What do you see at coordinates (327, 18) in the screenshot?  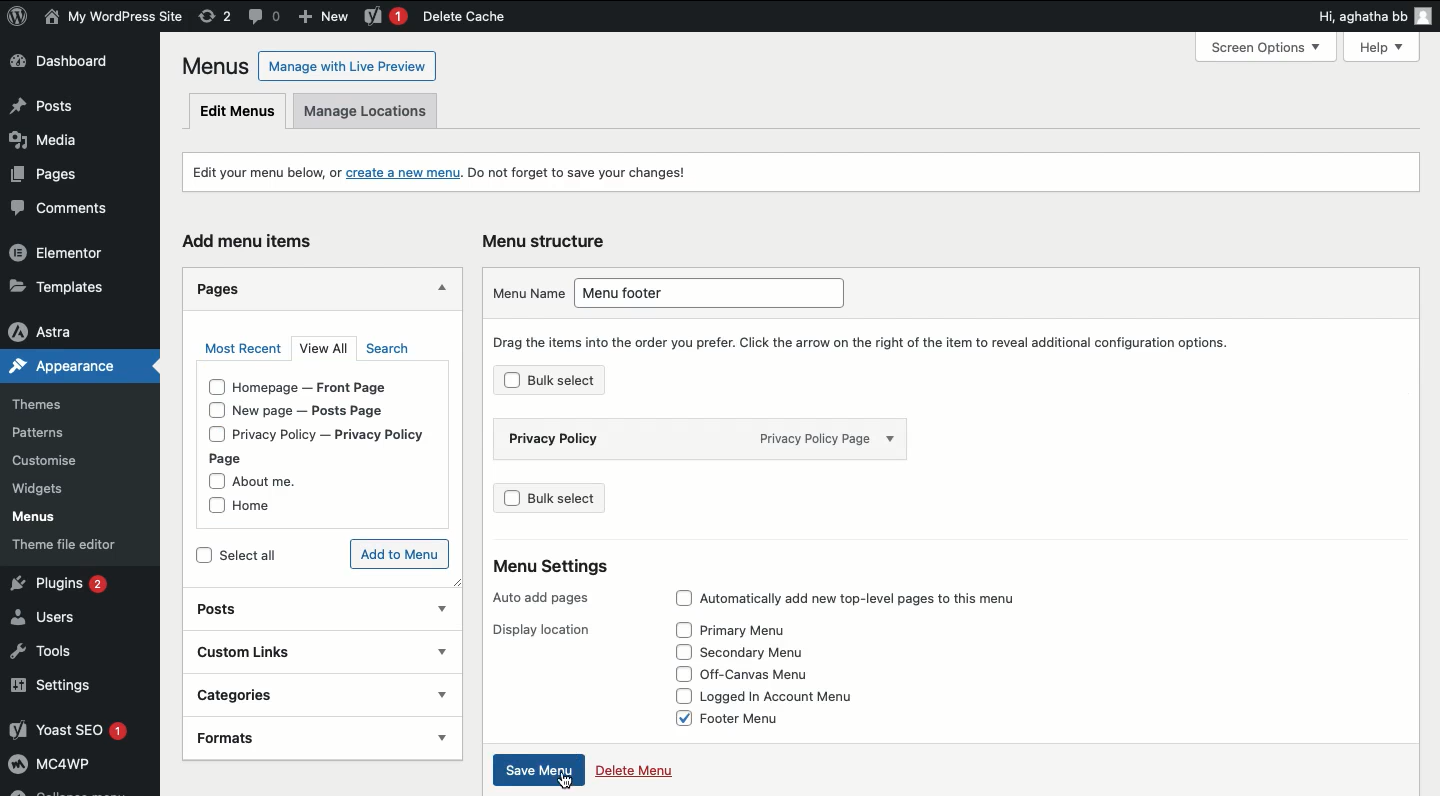 I see `New` at bounding box center [327, 18].